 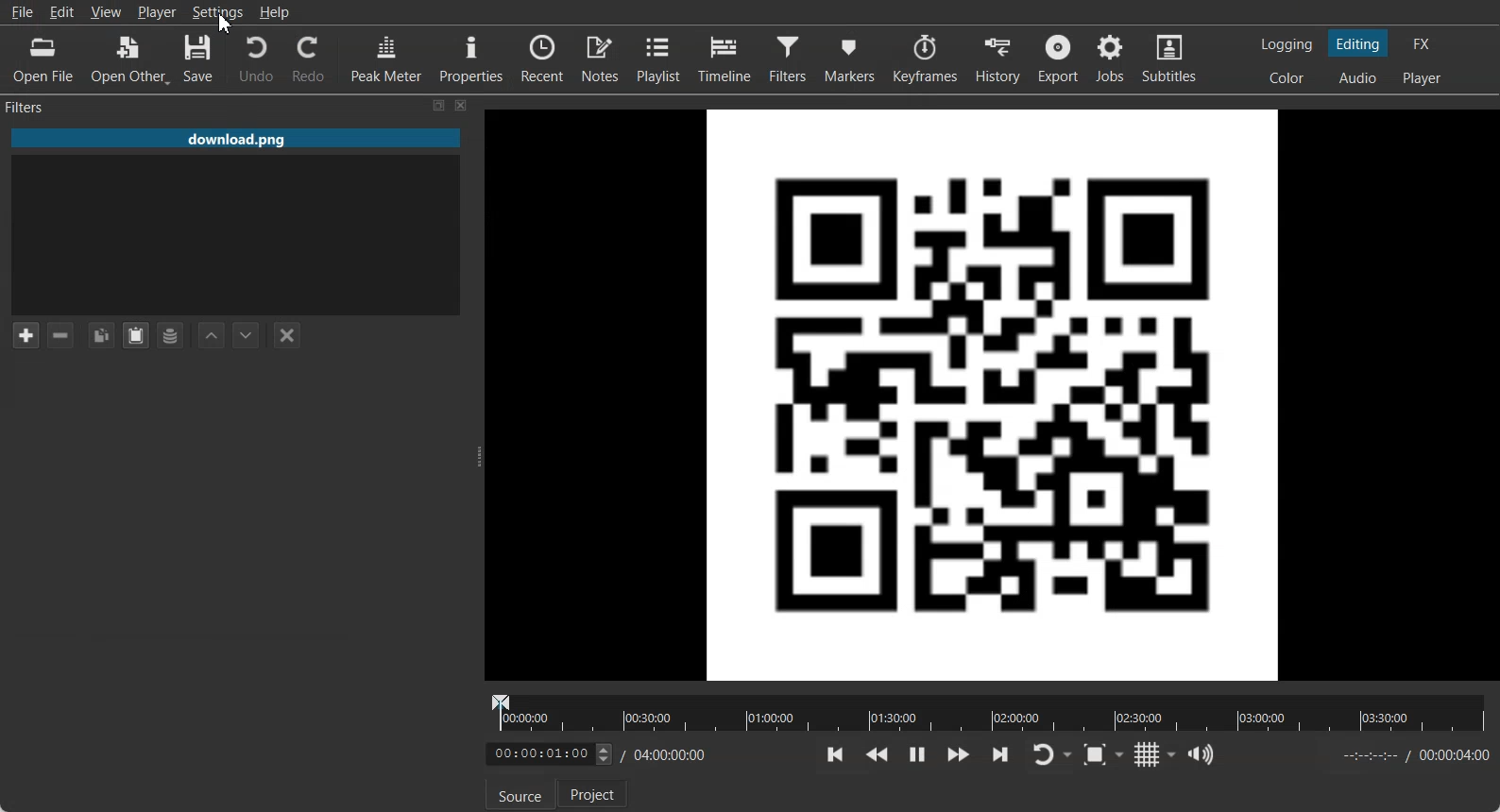 I want to click on Edit, so click(x=63, y=11).